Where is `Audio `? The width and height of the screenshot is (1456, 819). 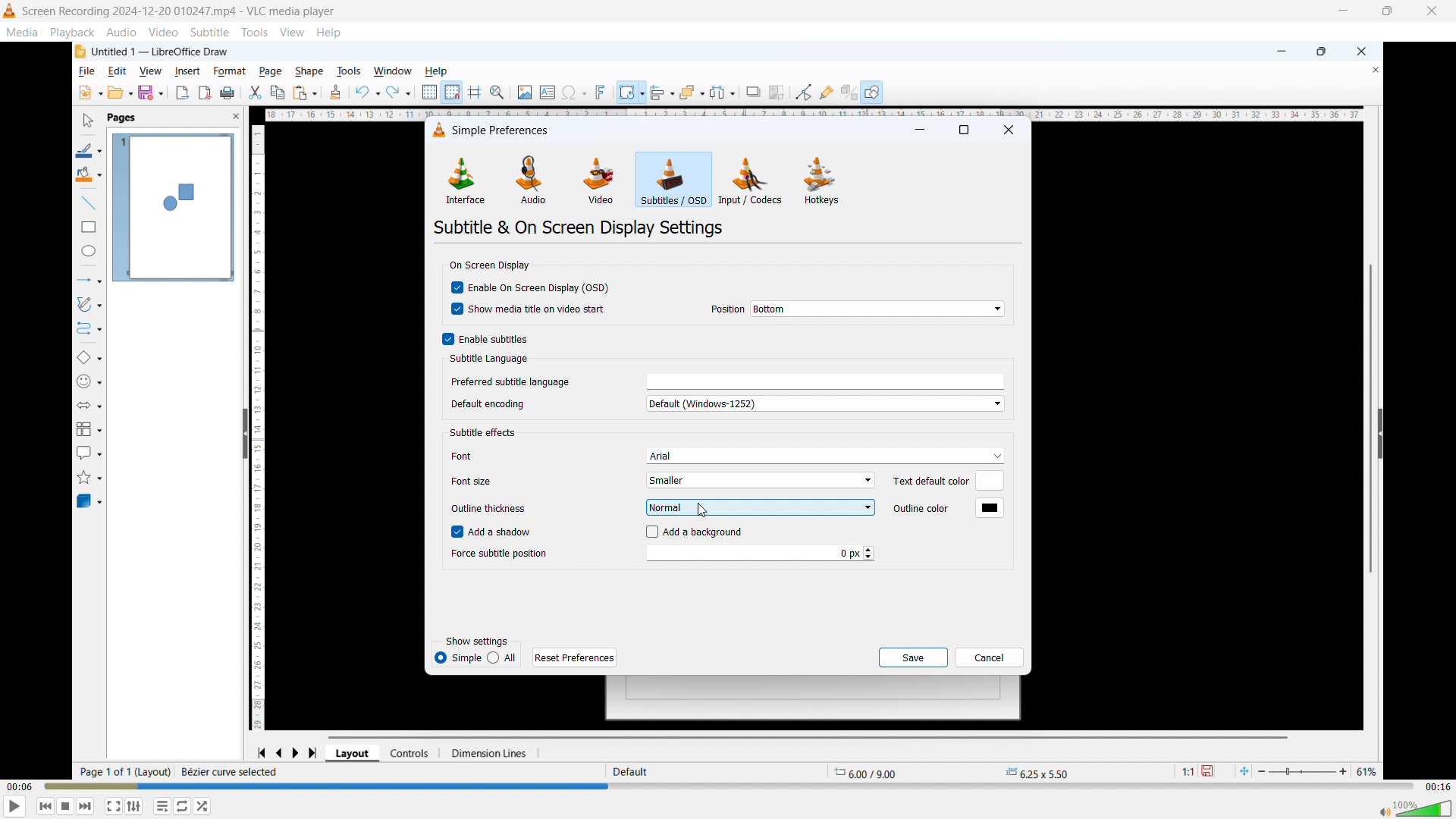
Audio  is located at coordinates (121, 33).